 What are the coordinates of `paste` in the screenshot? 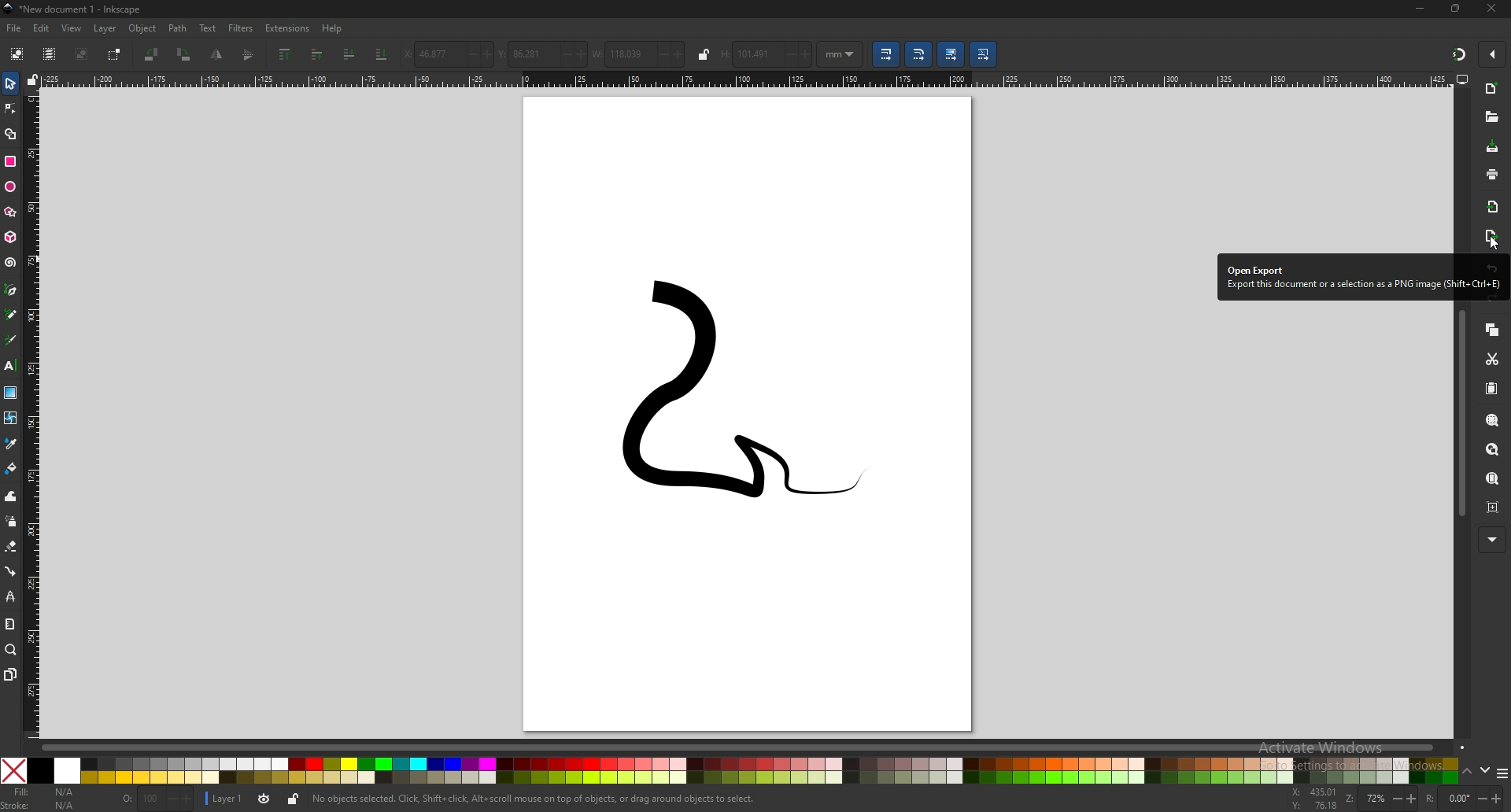 It's located at (1493, 389).